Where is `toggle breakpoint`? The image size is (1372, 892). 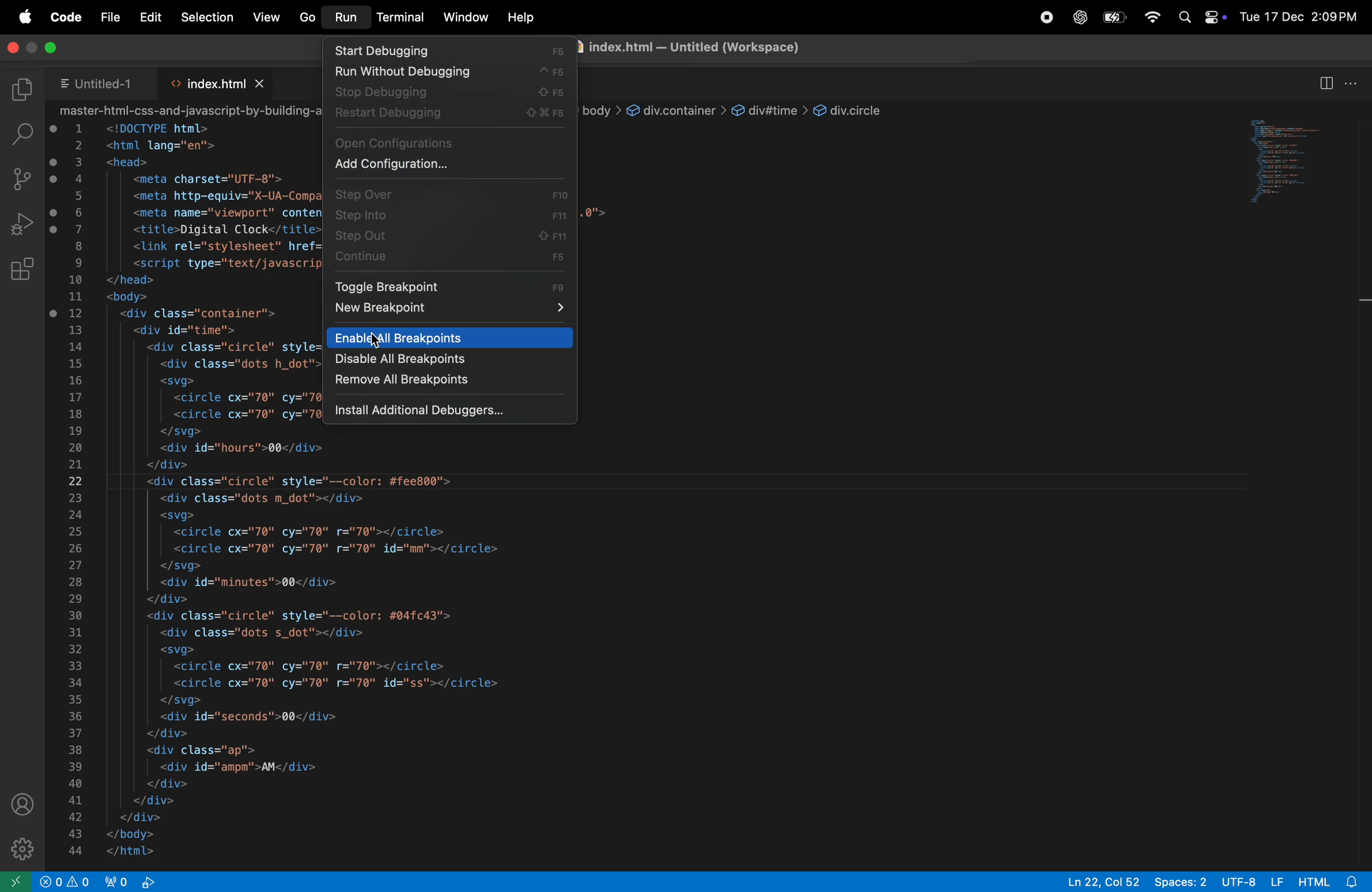
toggle breakpoint is located at coordinates (450, 287).